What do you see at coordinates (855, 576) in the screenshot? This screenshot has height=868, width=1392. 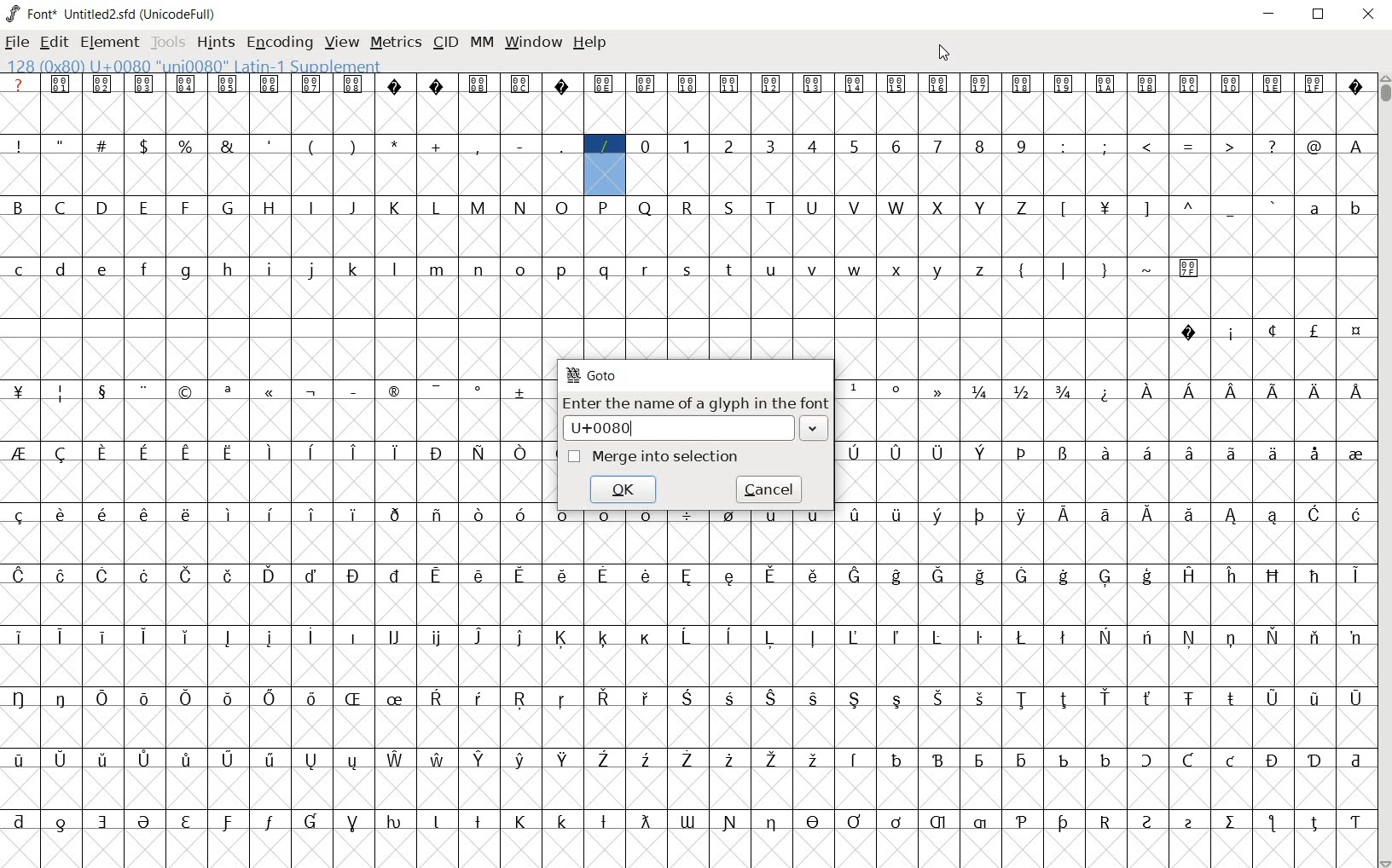 I see `glyph` at bounding box center [855, 576].